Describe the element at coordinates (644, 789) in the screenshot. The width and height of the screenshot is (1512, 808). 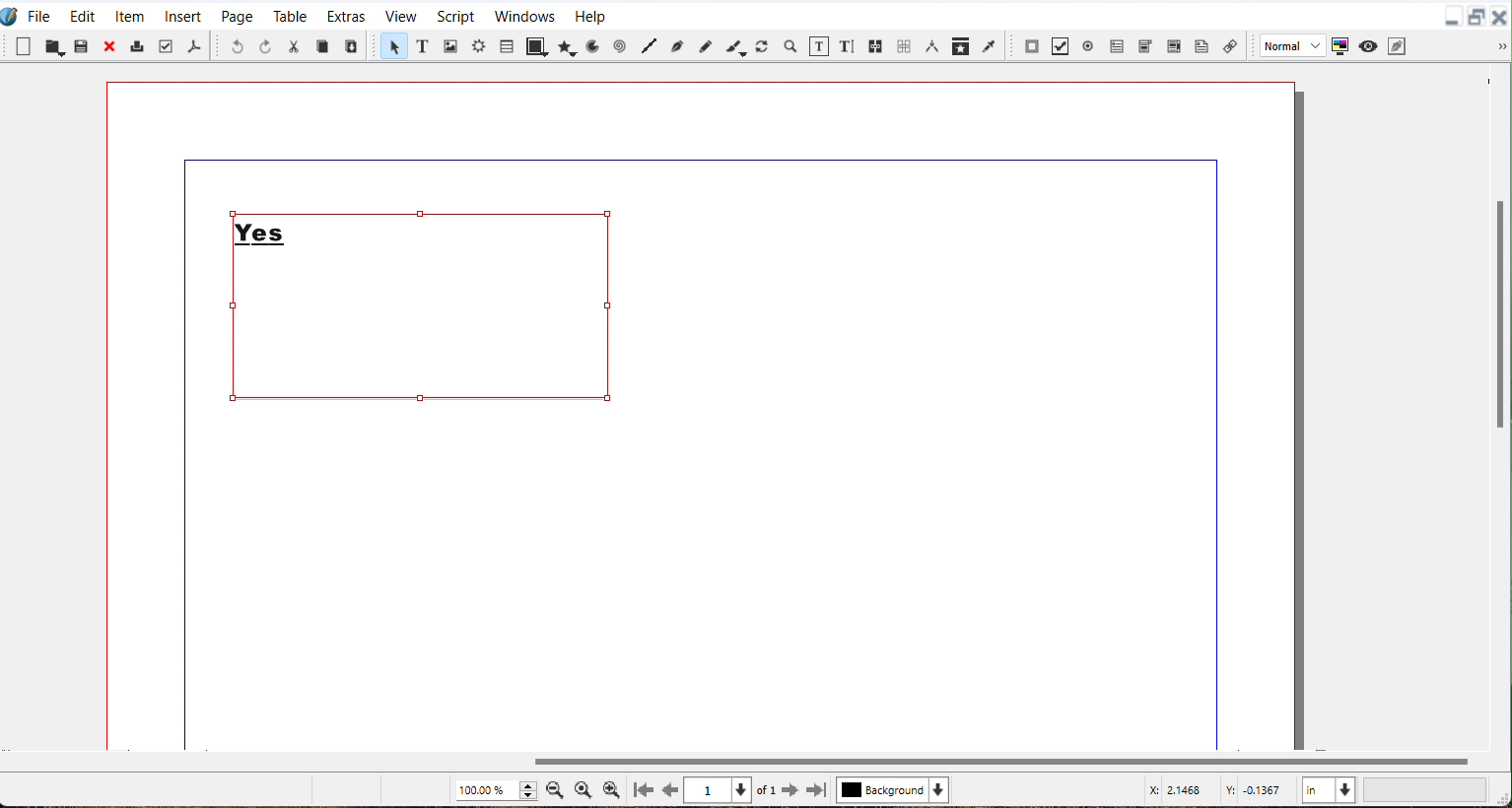
I see `Go to First Page` at that location.